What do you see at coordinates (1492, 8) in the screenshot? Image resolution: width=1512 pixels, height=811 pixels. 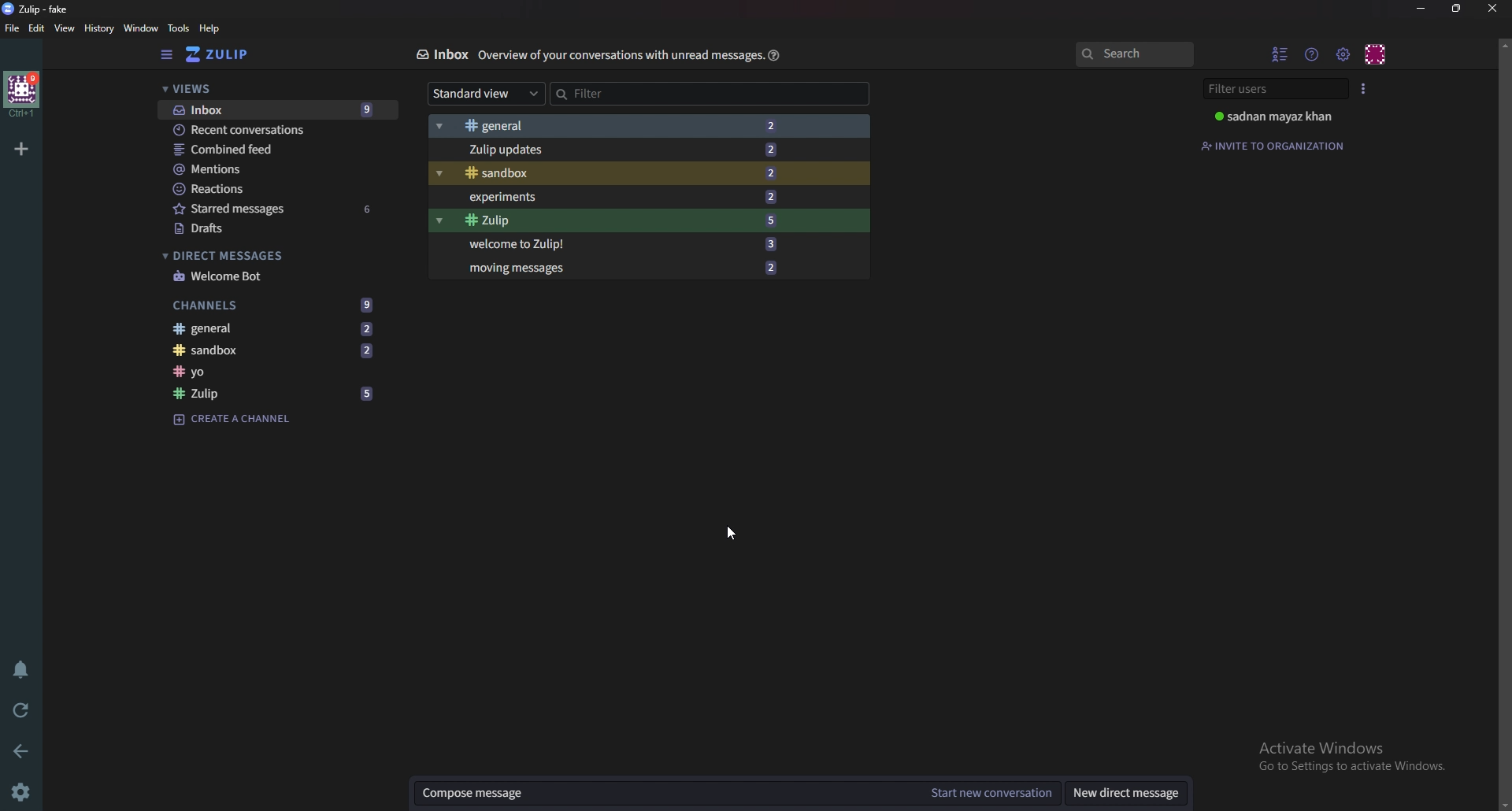 I see `close` at bounding box center [1492, 8].